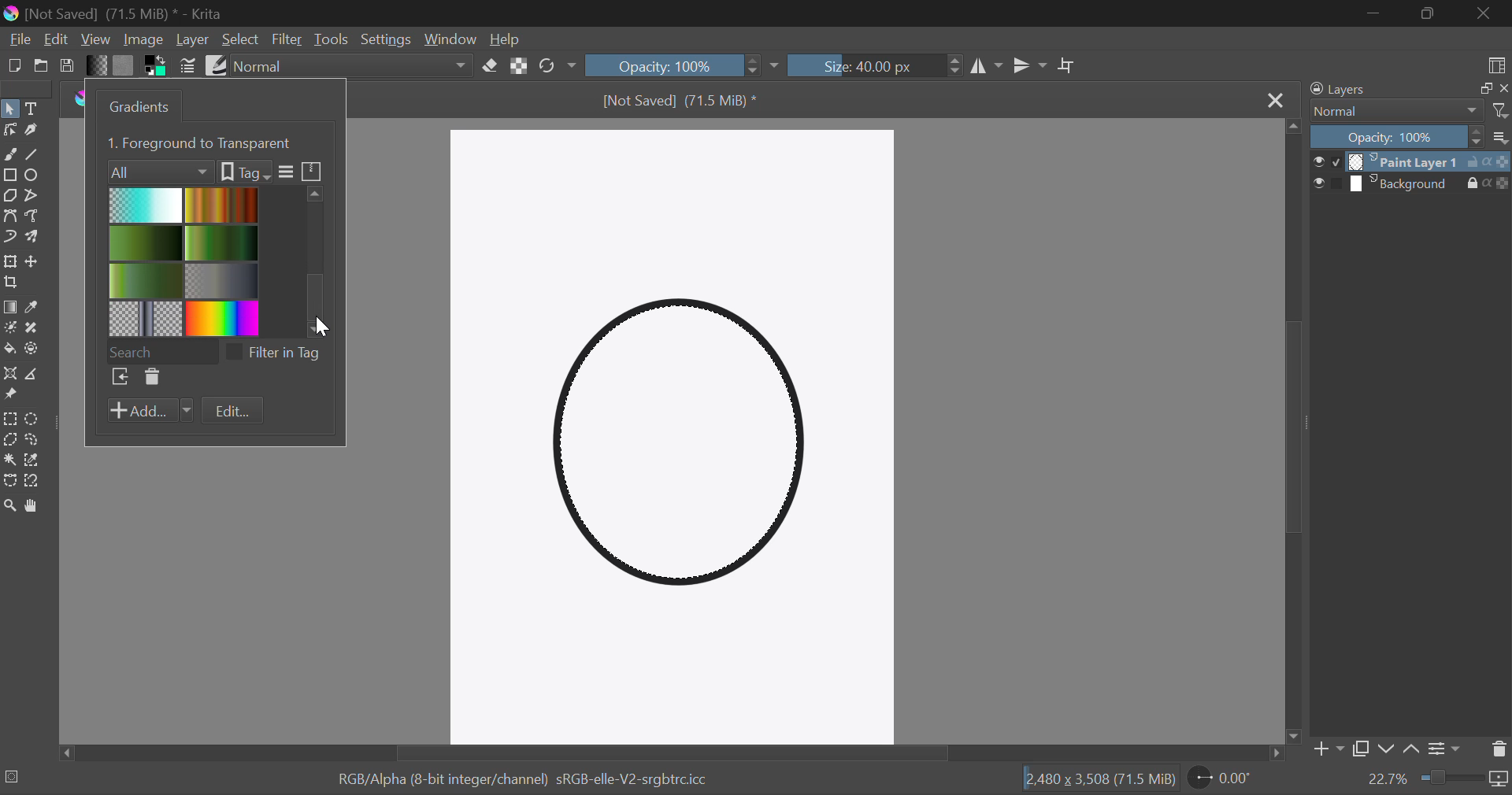 The image size is (1512, 795). I want to click on Transform Layer, so click(11, 263).